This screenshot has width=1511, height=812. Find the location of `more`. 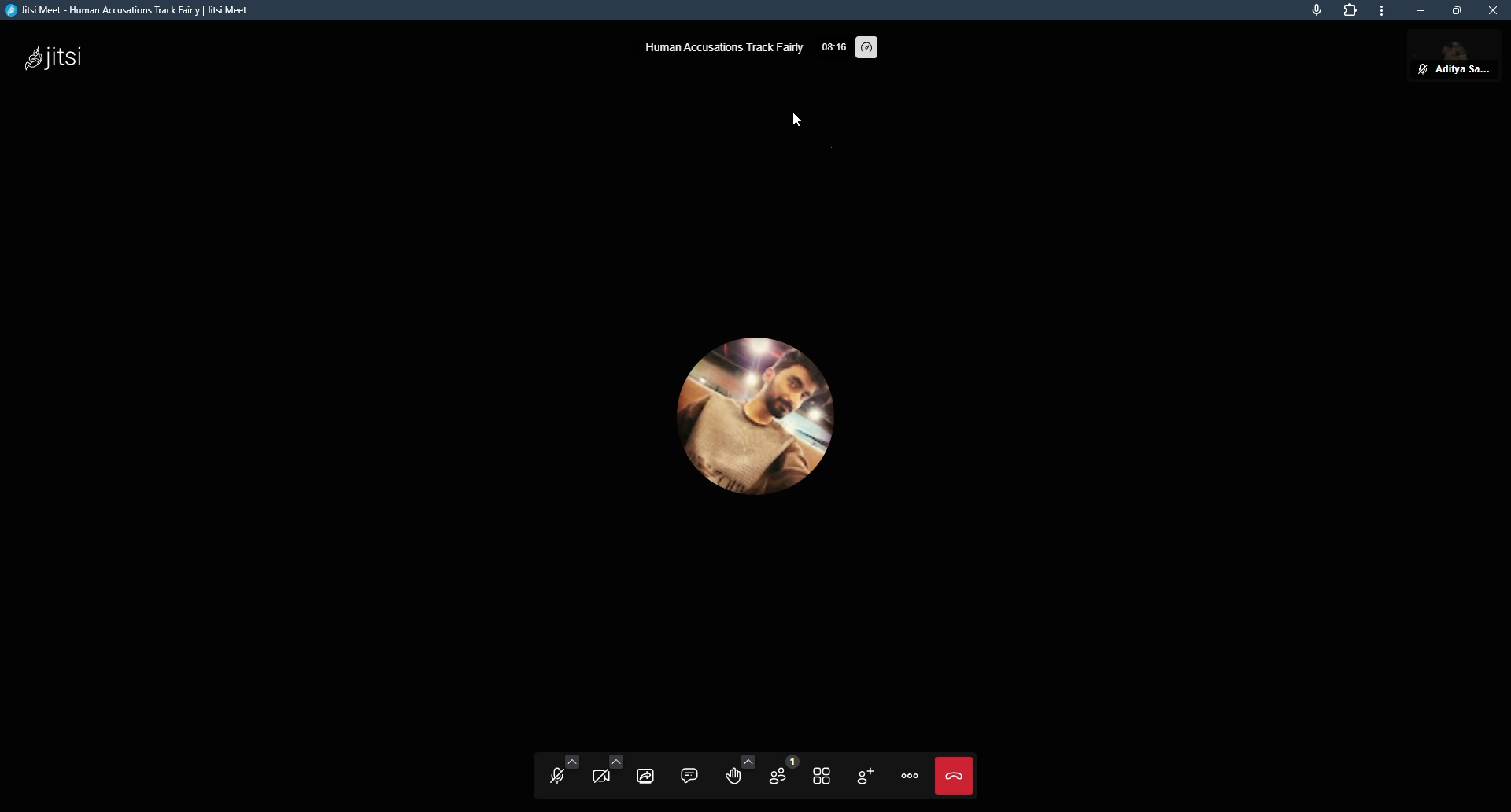

more is located at coordinates (1380, 11).